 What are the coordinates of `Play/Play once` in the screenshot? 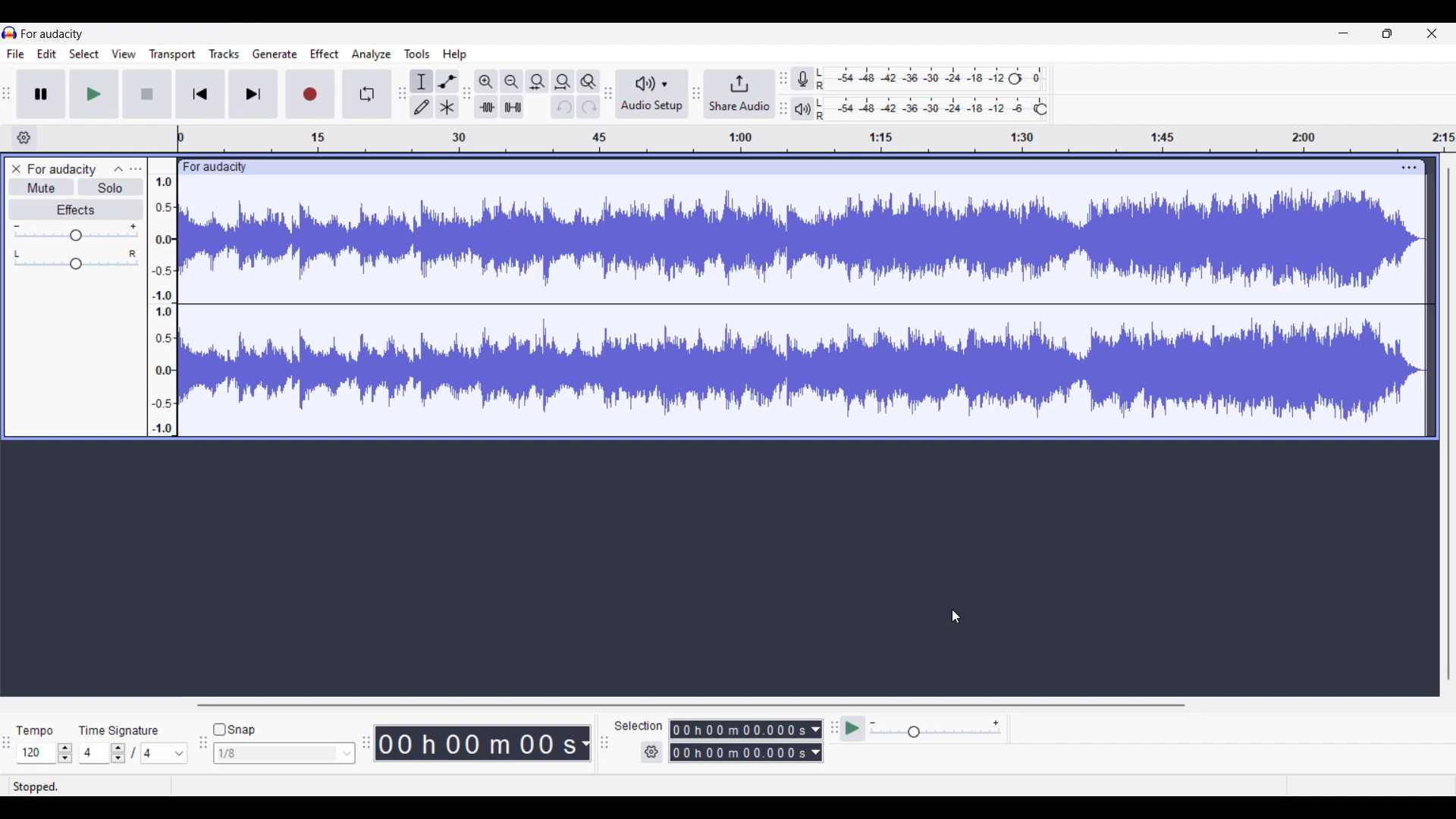 It's located at (94, 93).